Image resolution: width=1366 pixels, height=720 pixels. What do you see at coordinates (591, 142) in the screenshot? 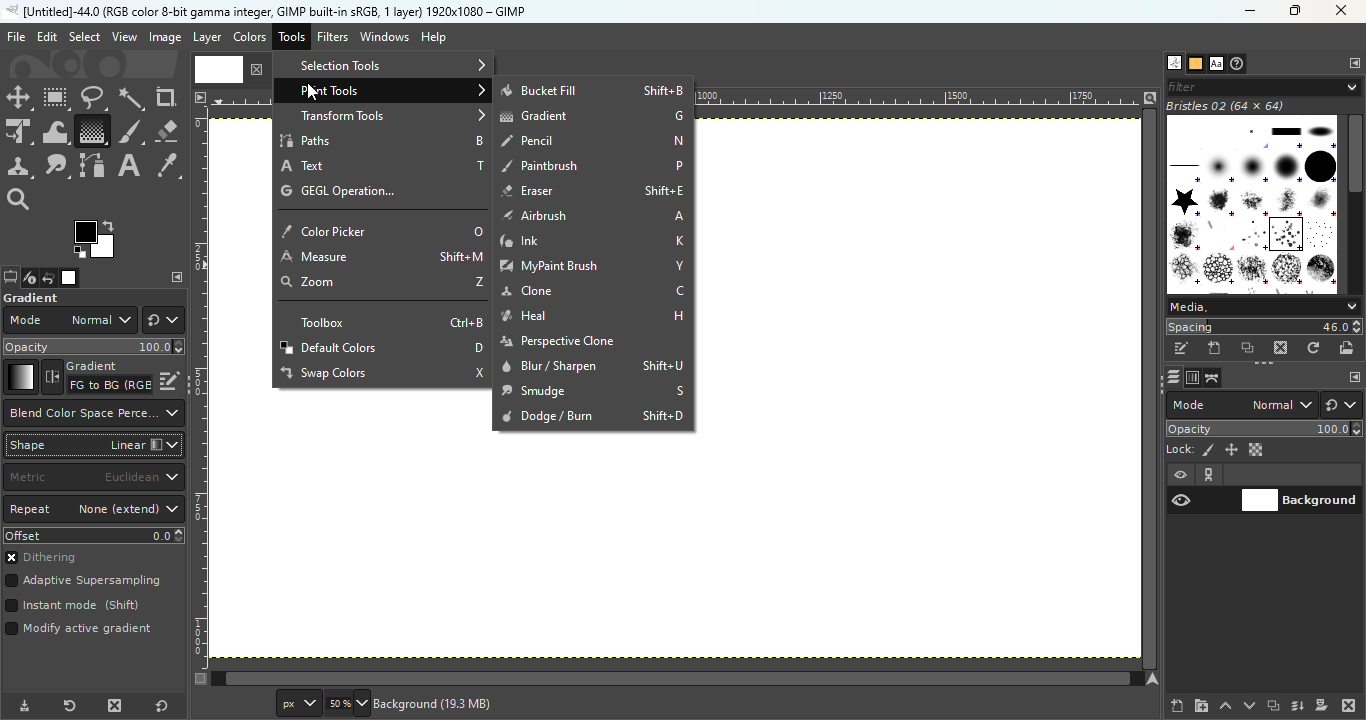
I see `Pencil` at bounding box center [591, 142].